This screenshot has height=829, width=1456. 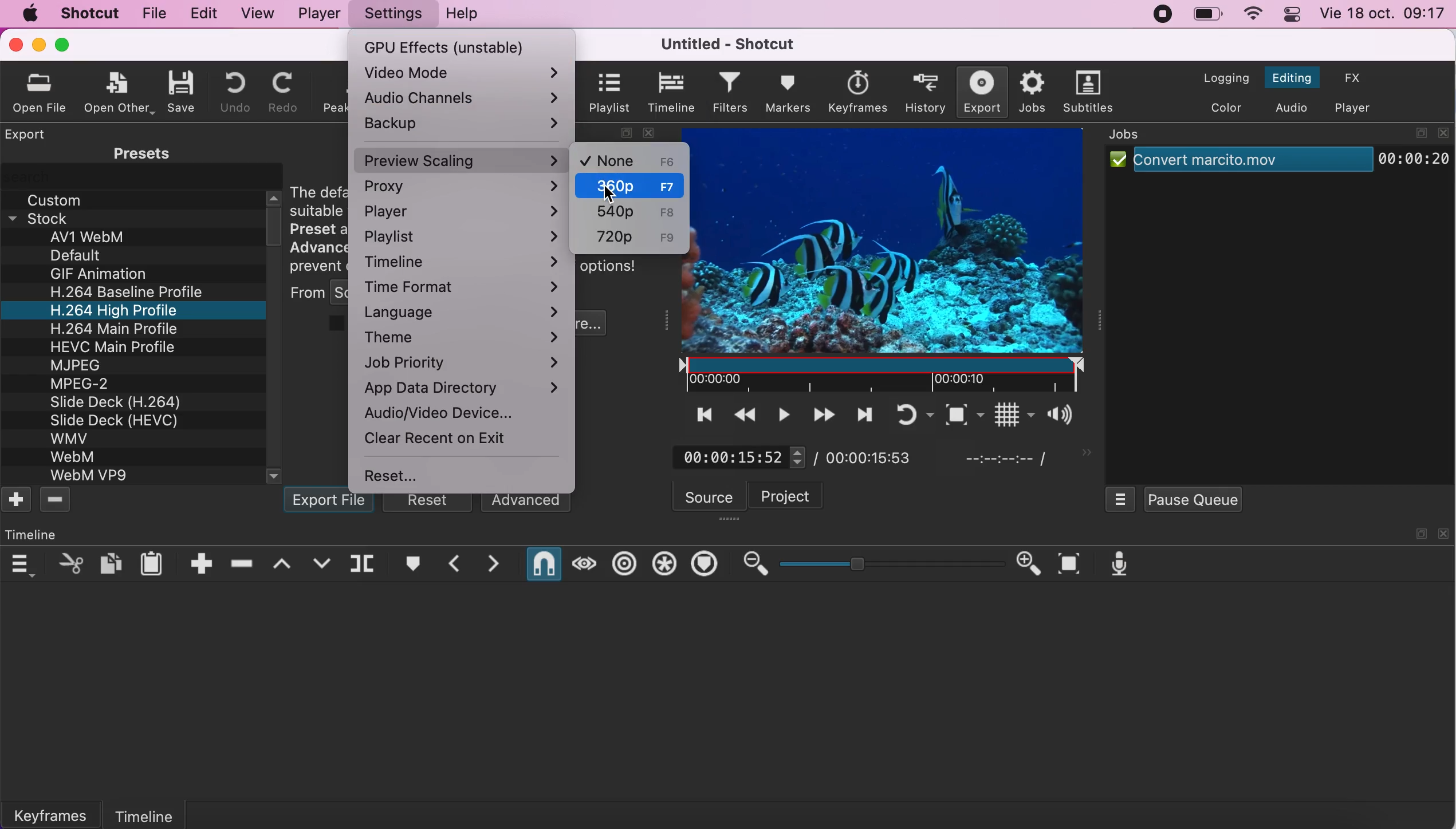 What do you see at coordinates (1136, 136) in the screenshot?
I see `jobs panel` at bounding box center [1136, 136].